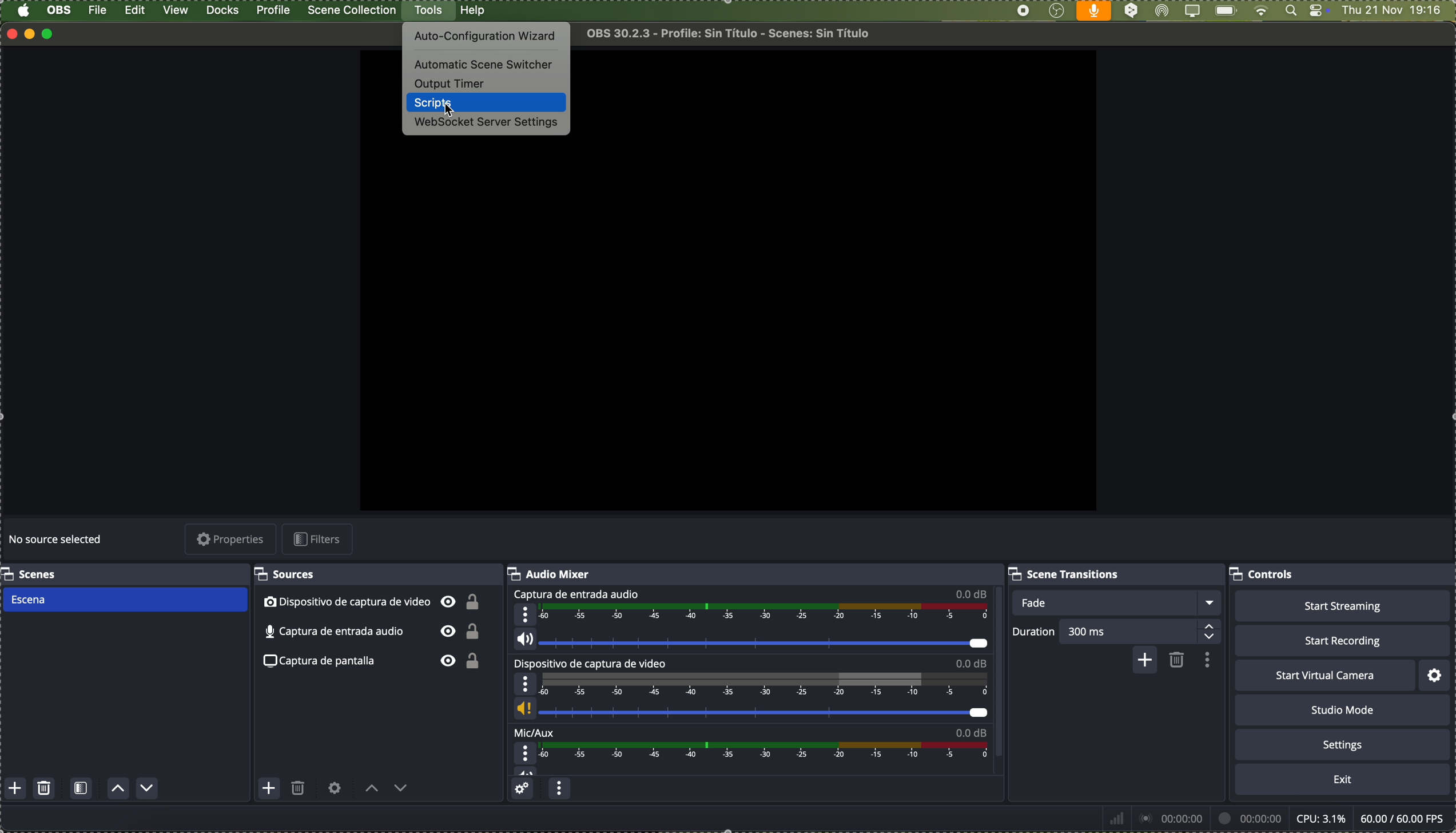 Image resolution: width=1456 pixels, height=833 pixels. Describe the element at coordinates (320, 539) in the screenshot. I see `filters` at that location.